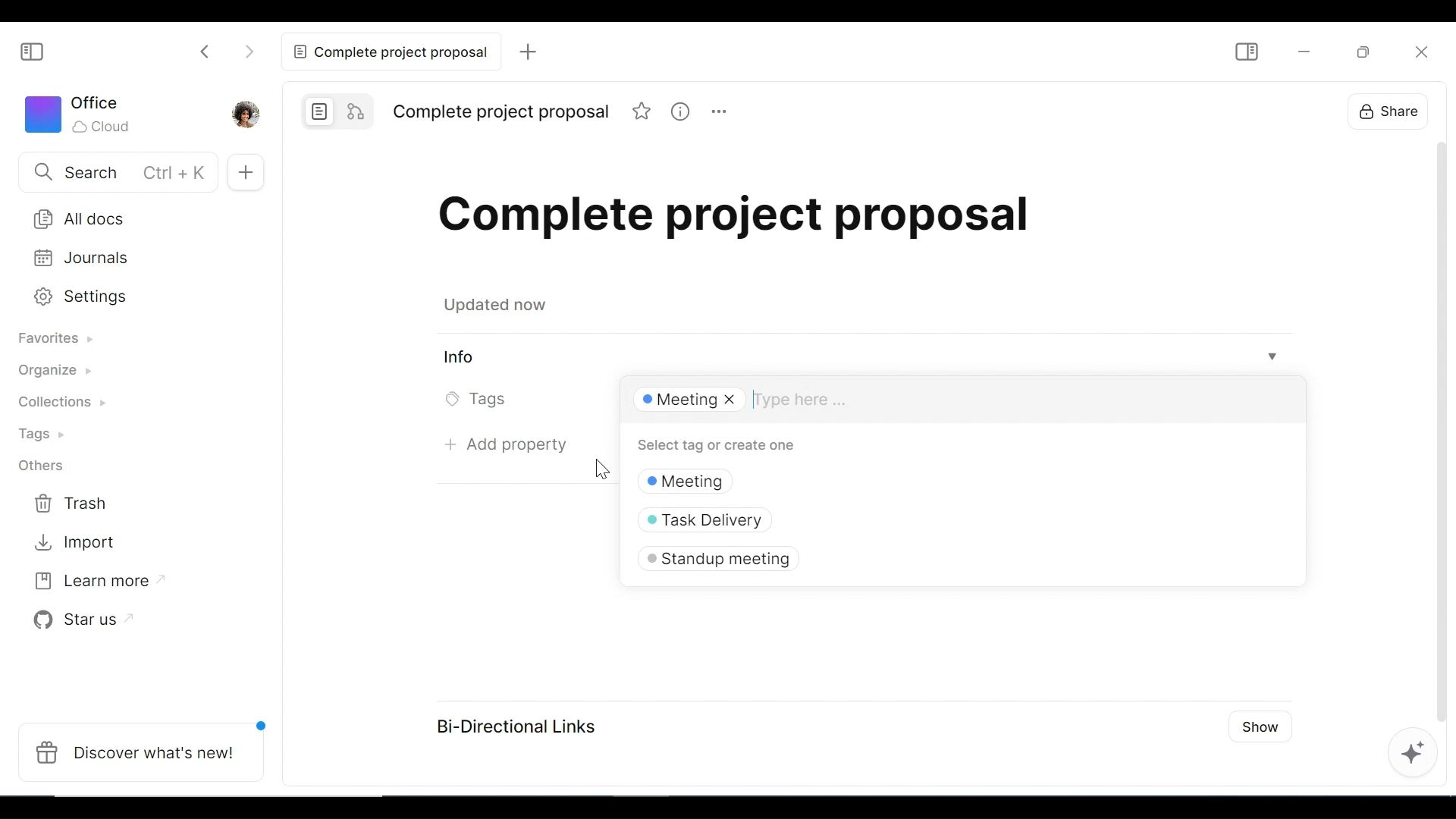 Image resolution: width=1456 pixels, height=819 pixels. What do you see at coordinates (99, 579) in the screenshot?
I see `Learn more` at bounding box center [99, 579].